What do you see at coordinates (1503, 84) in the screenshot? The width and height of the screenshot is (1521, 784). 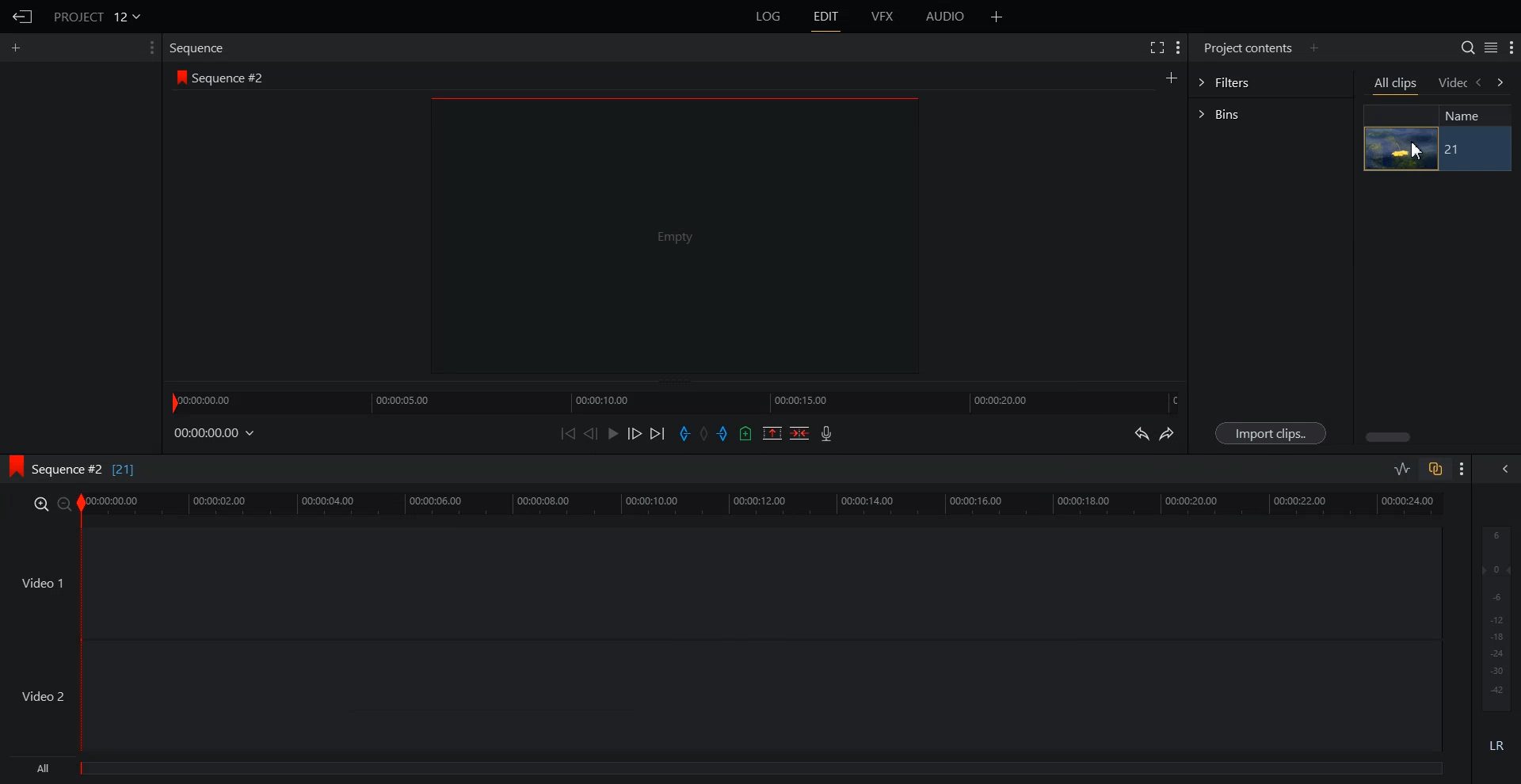 I see `forward` at bounding box center [1503, 84].